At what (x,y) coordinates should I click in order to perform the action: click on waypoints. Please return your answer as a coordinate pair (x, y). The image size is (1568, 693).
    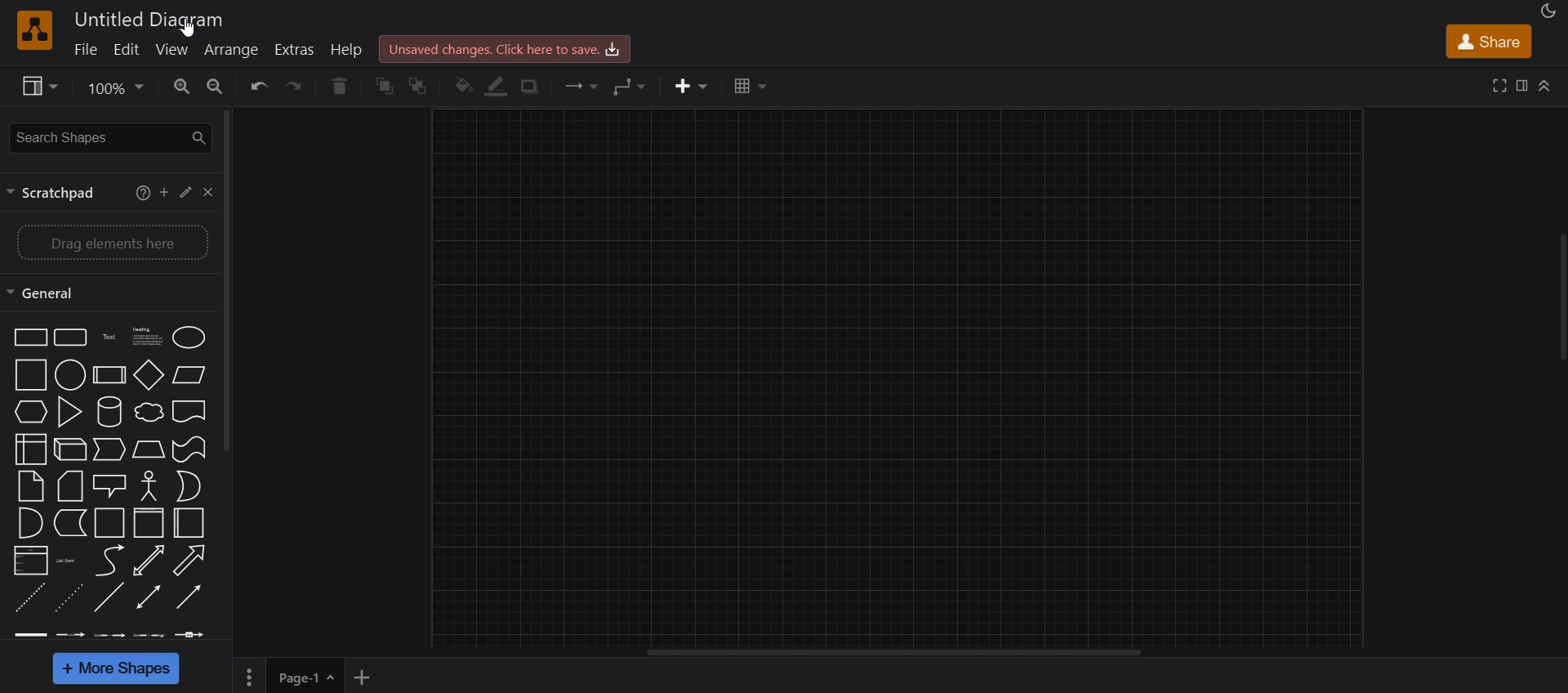
    Looking at the image, I should click on (629, 87).